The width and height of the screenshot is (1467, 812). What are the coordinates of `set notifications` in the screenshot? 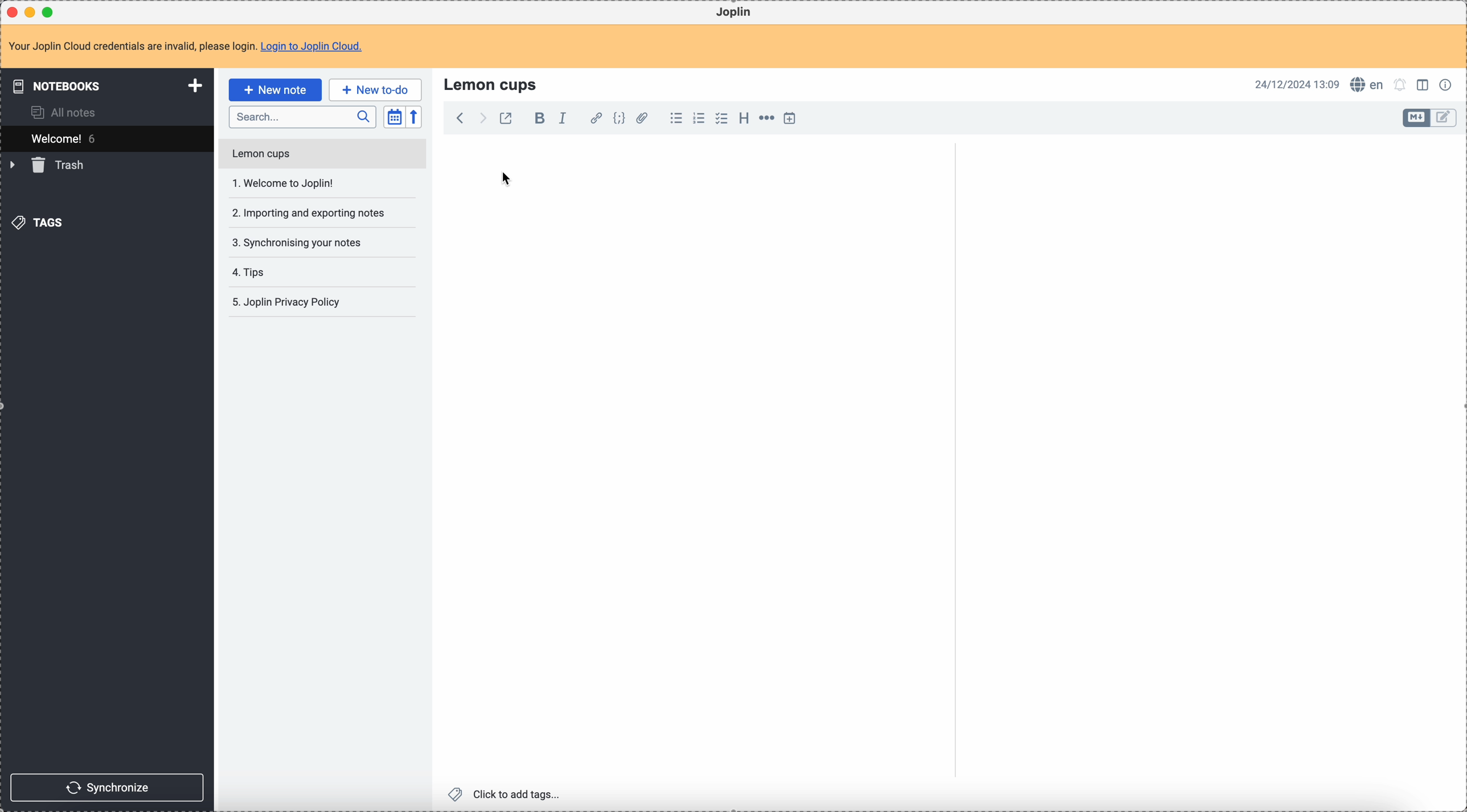 It's located at (1400, 84).